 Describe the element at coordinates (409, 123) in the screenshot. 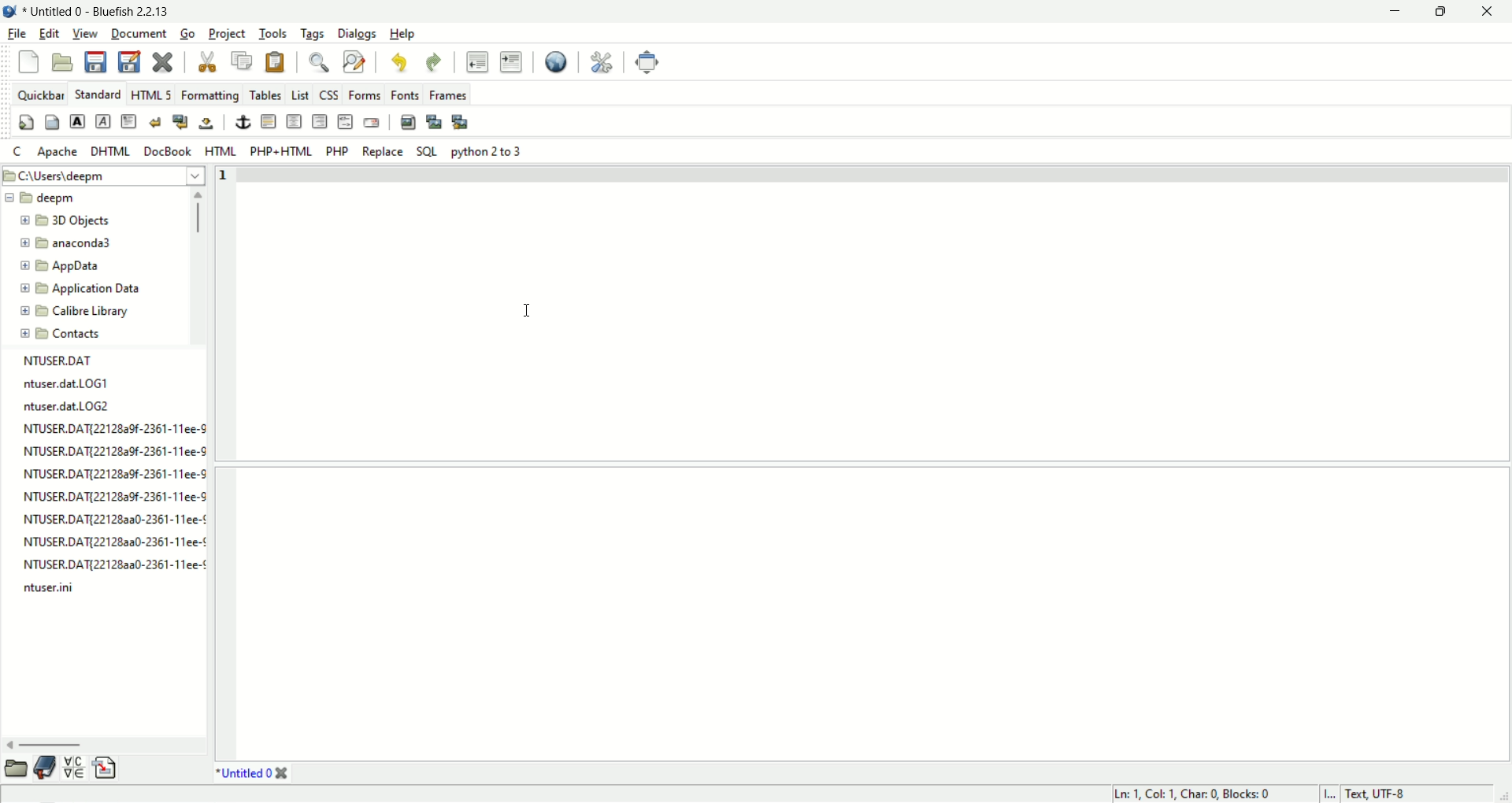

I see `insert image` at that location.